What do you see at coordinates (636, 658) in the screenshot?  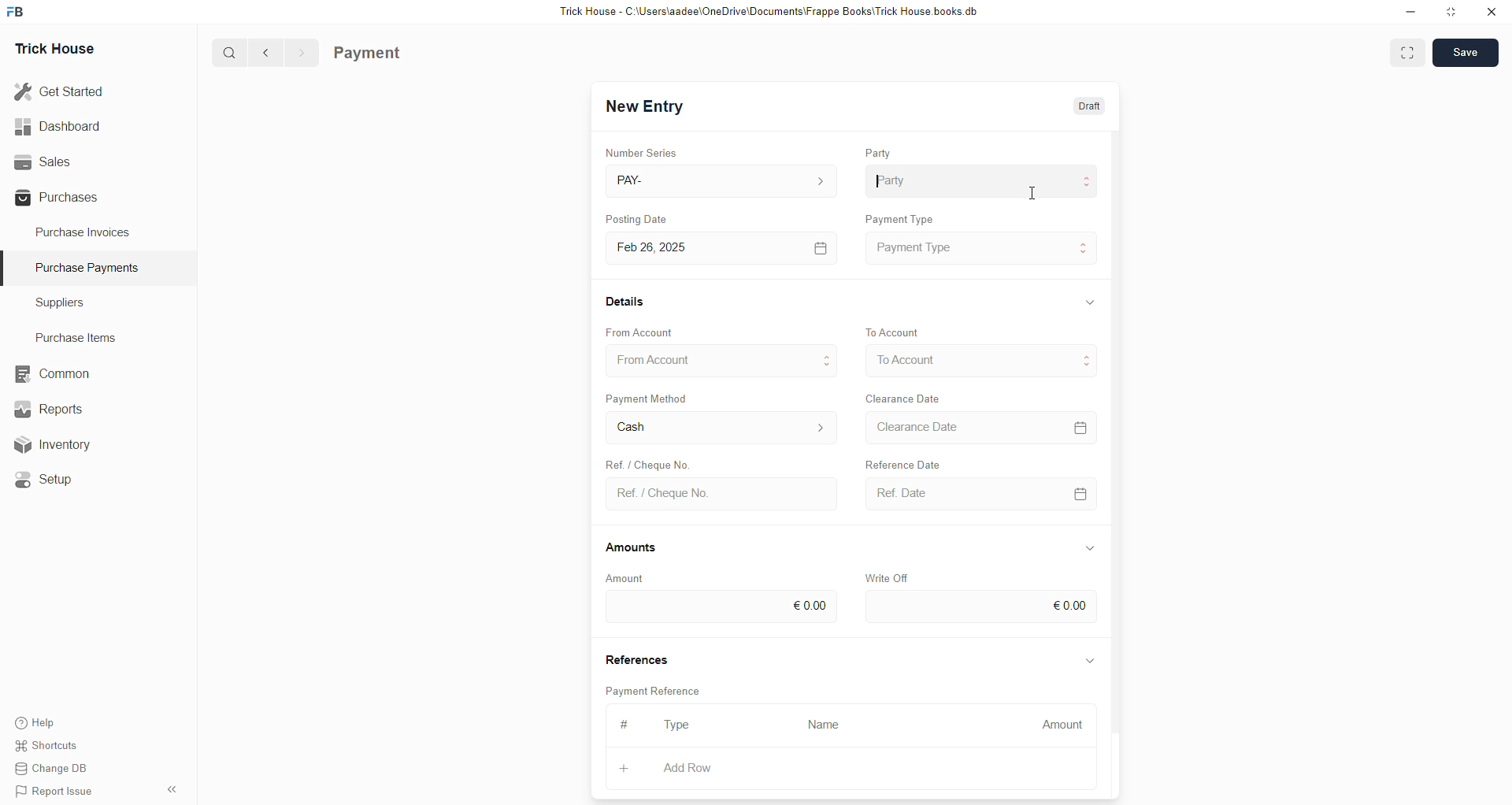 I see `References` at bounding box center [636, 658].